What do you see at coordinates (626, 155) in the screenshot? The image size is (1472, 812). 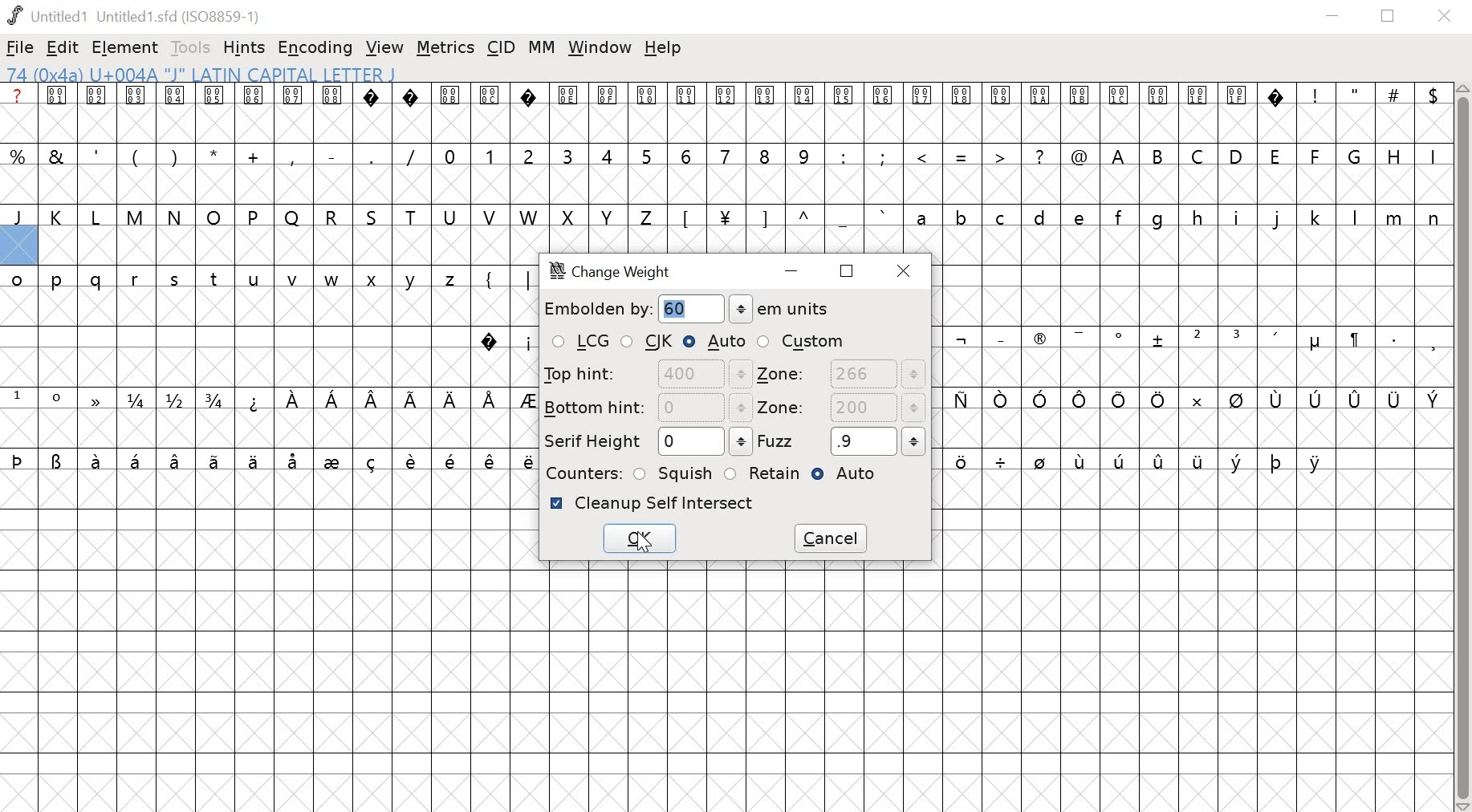 I see `numbers` at bounding box center [626, 155].